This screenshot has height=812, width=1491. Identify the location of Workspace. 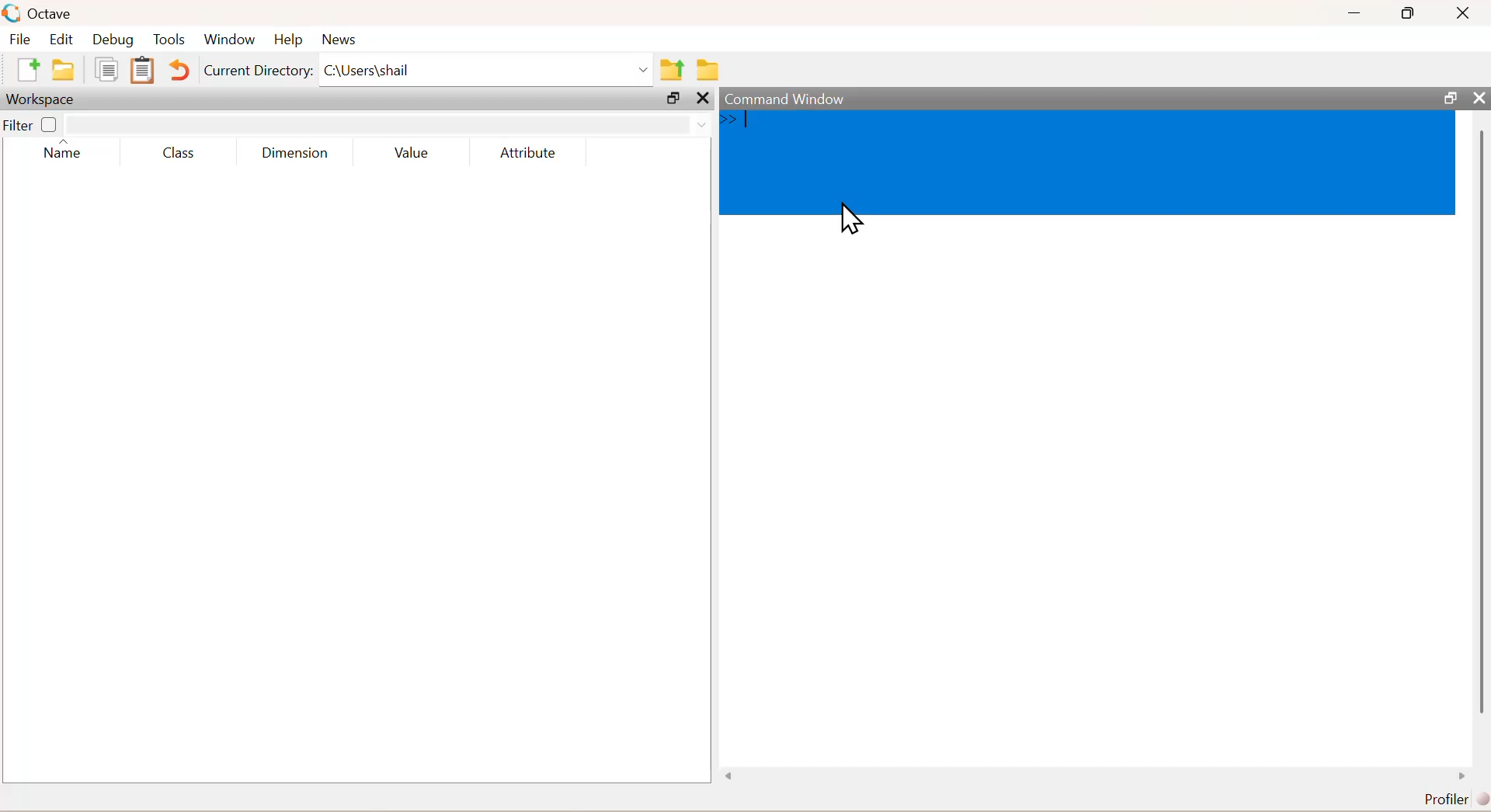
(40, 100).